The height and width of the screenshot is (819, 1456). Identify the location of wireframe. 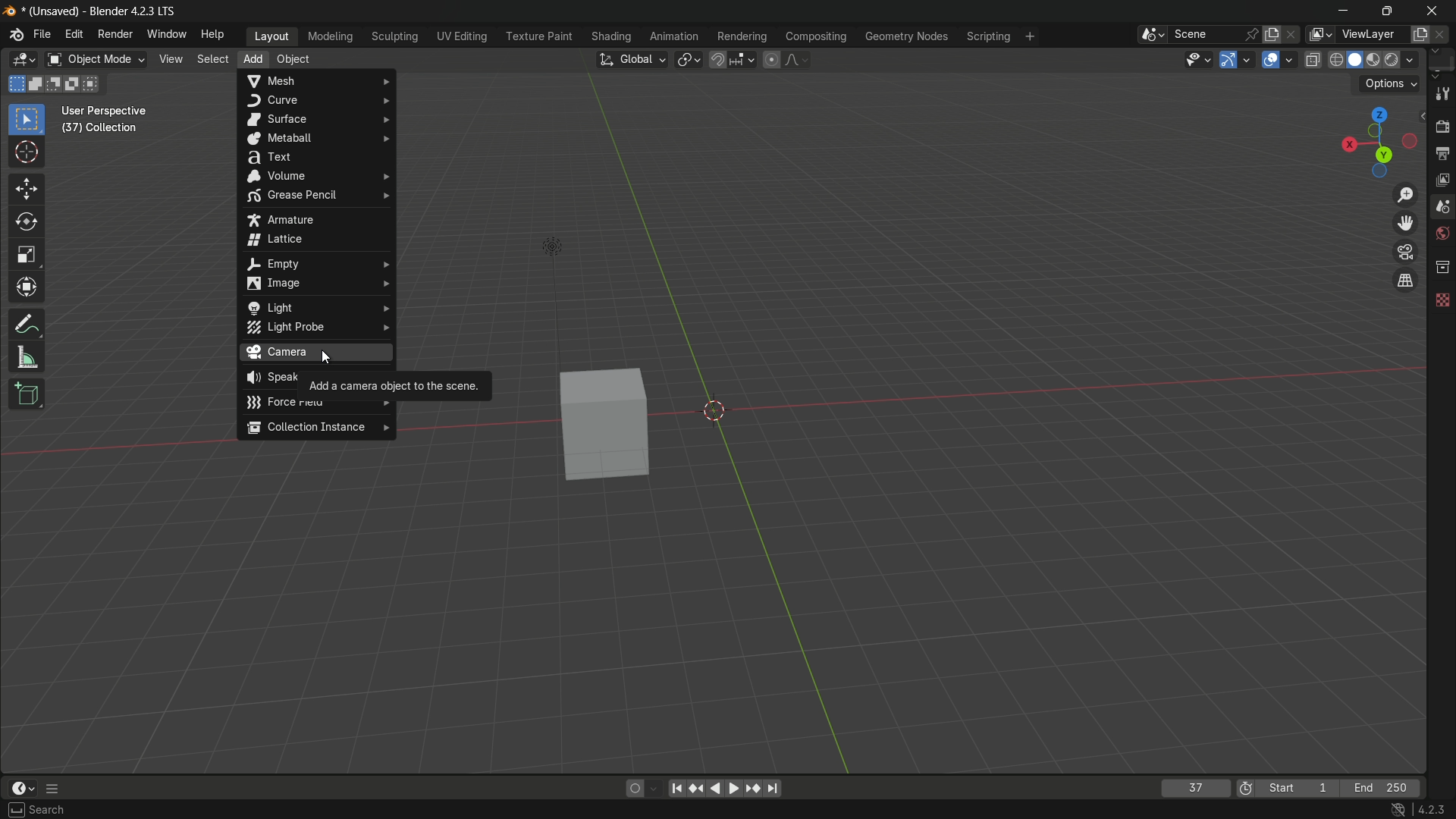
(1336, 59).